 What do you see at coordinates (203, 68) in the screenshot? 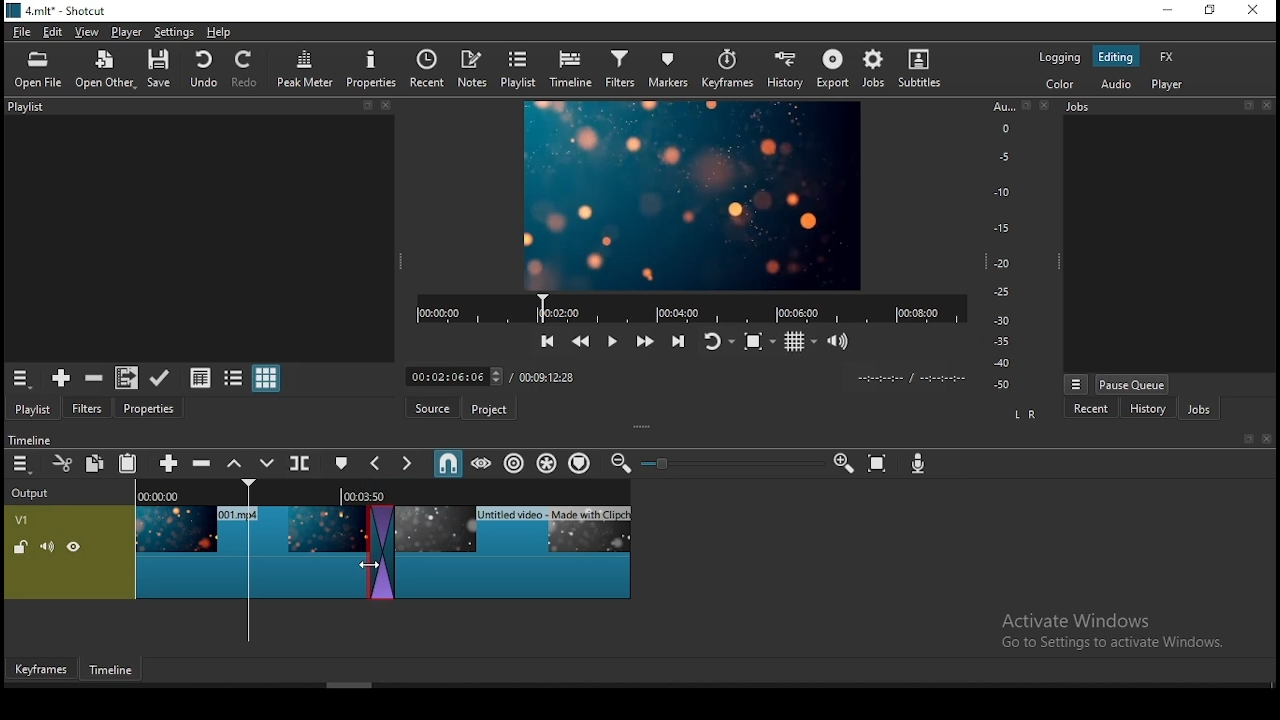
I see `undo` at bounding box center [203, 68].